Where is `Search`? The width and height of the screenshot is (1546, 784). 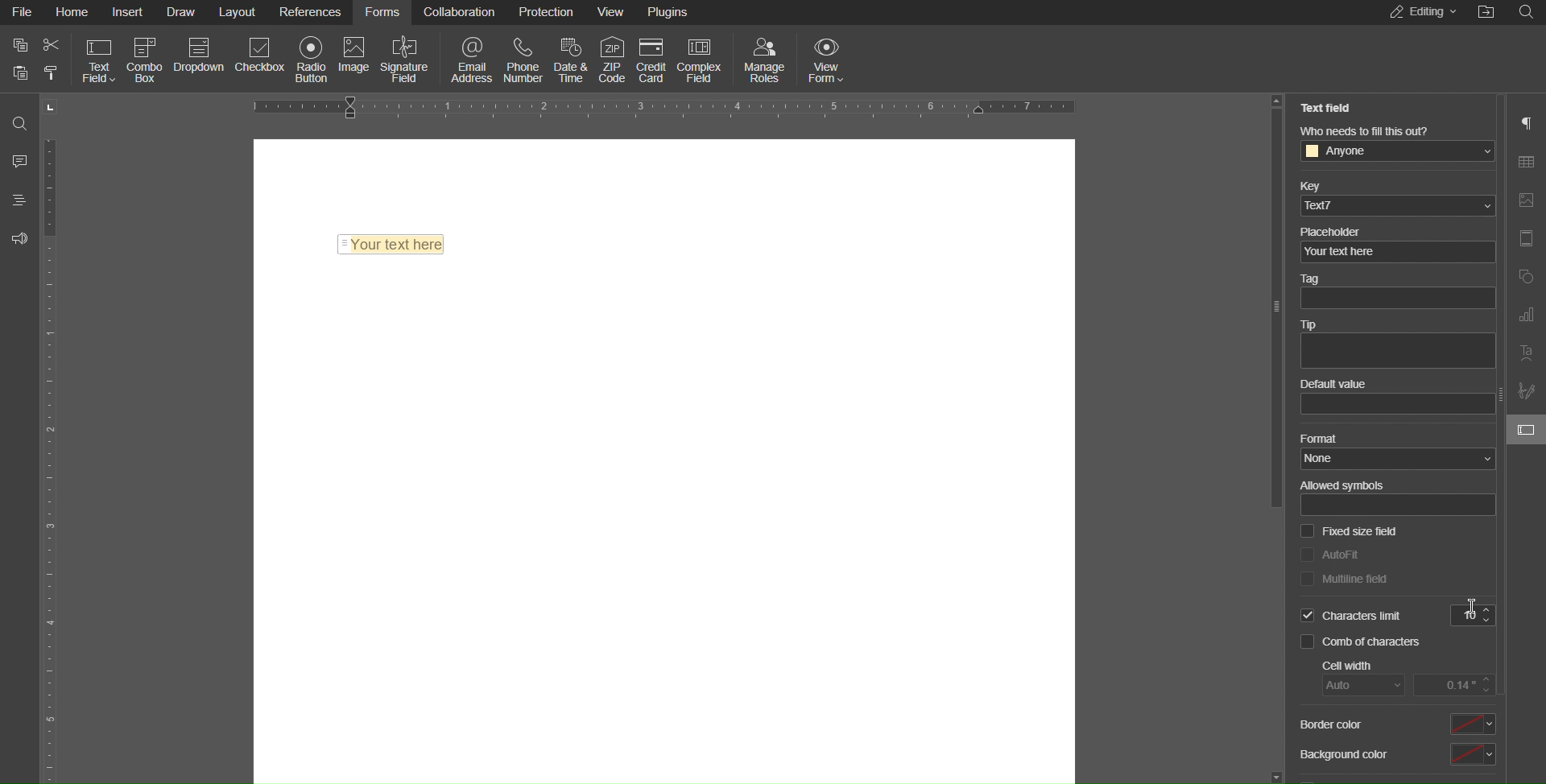 Search is located at coordinates (18, 118).